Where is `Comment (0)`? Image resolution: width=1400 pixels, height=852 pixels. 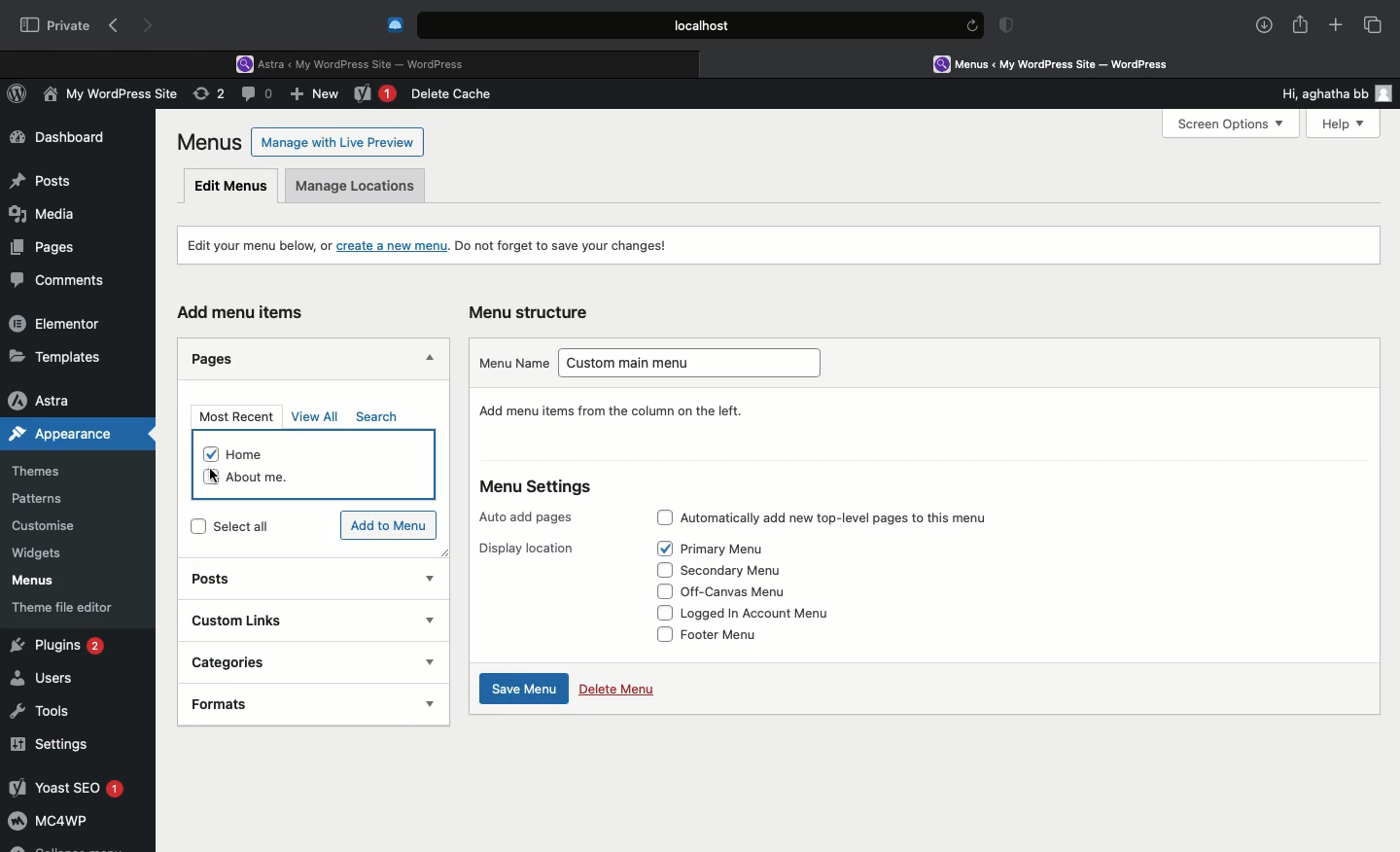 Comment (0) is located at coordinates (260, 93).